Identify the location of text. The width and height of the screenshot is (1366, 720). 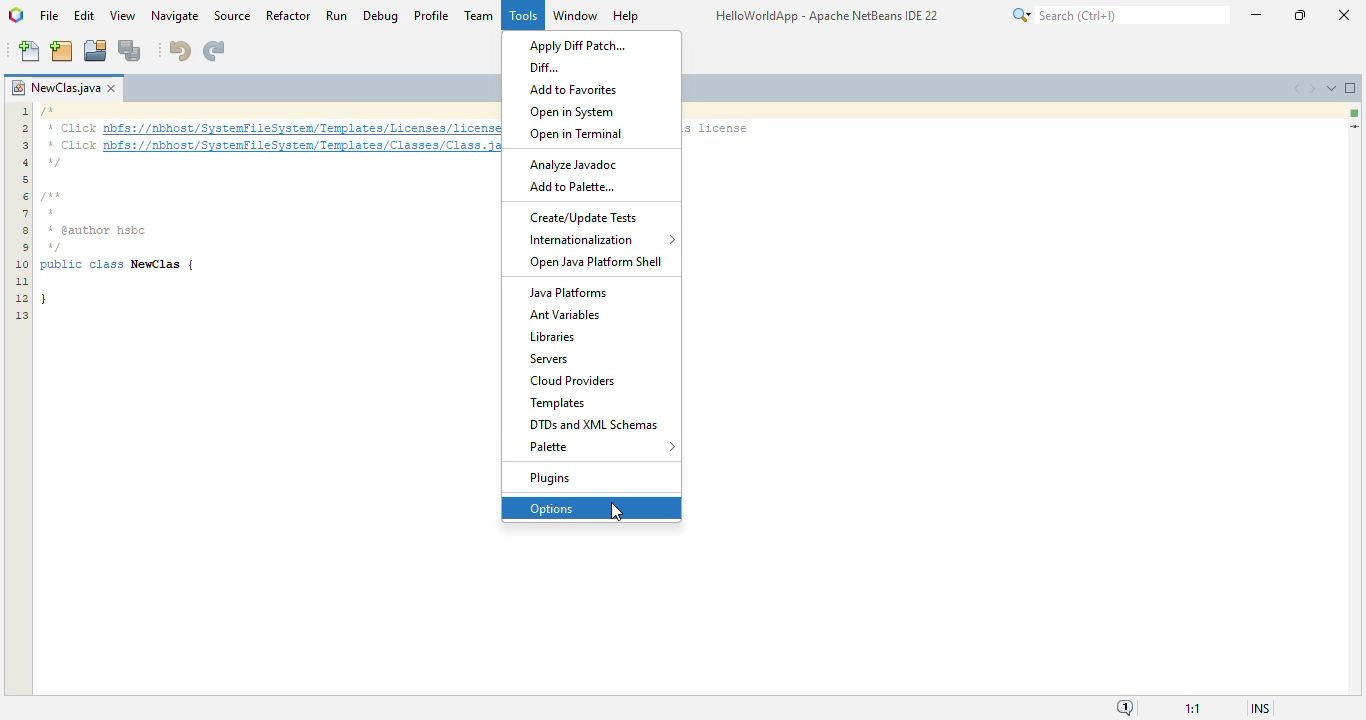
(269, 135).